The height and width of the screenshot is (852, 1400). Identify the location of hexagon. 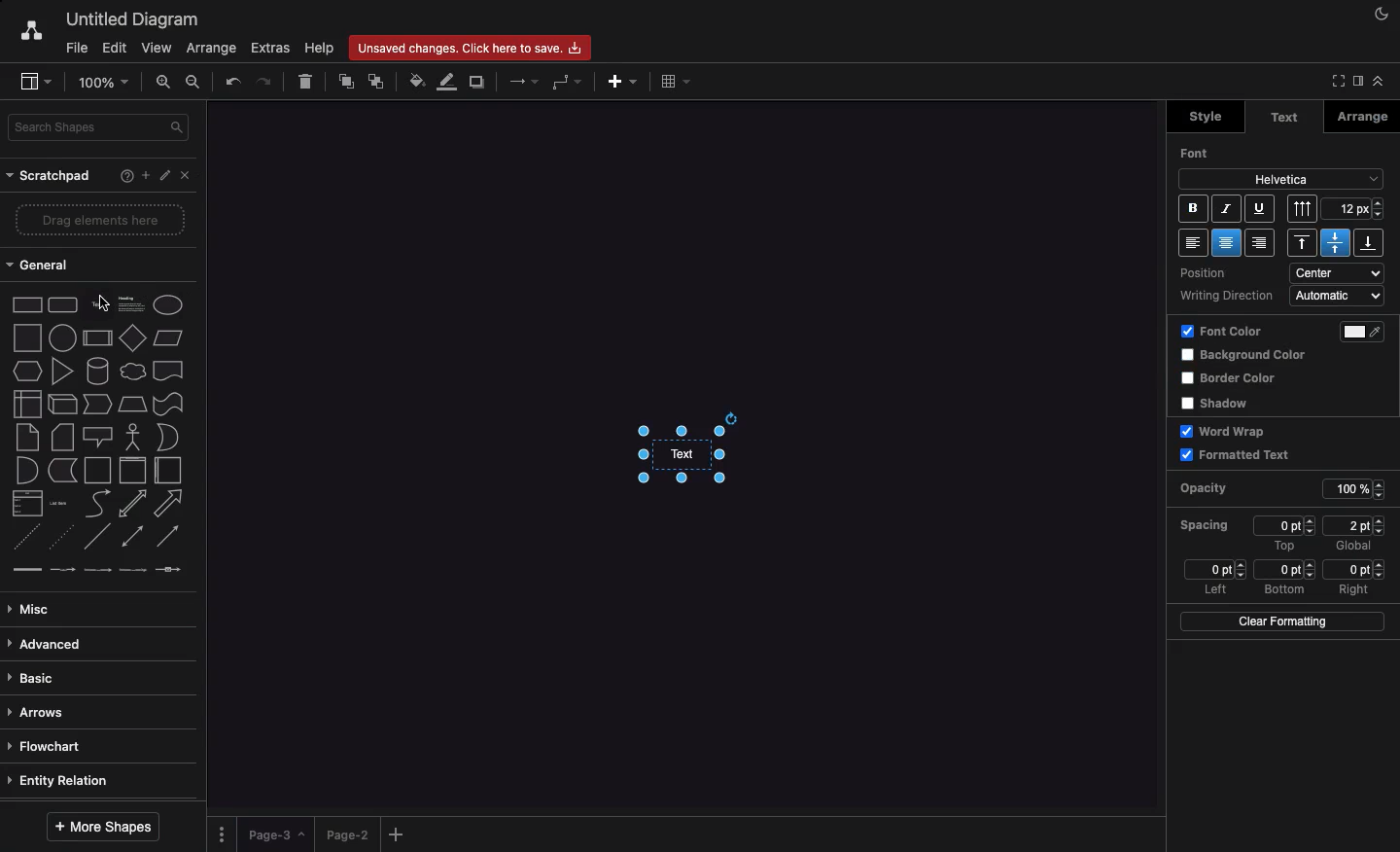
(28, 372).